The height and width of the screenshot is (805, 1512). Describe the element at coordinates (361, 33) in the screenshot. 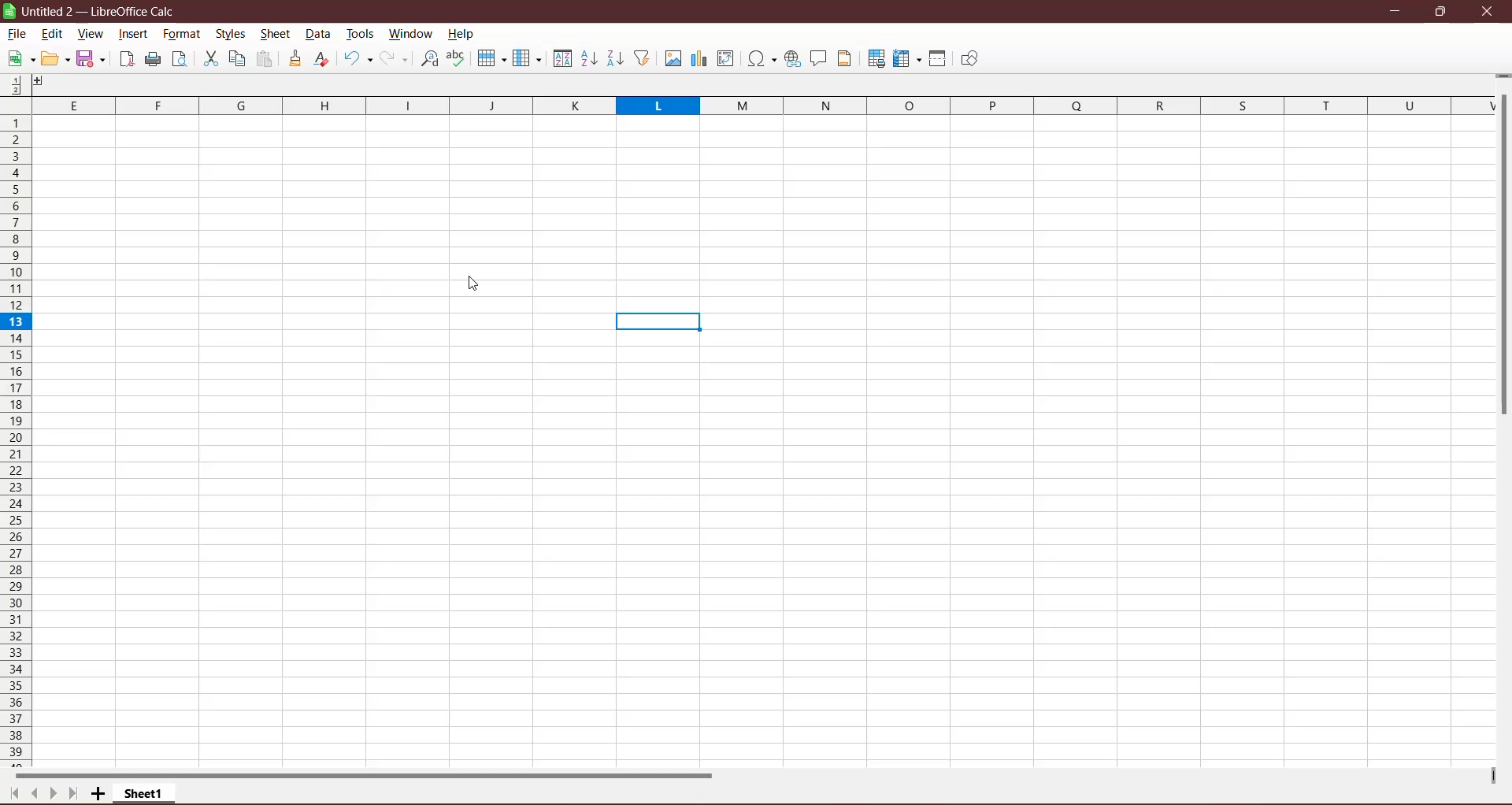

I see `Tools` at that location.